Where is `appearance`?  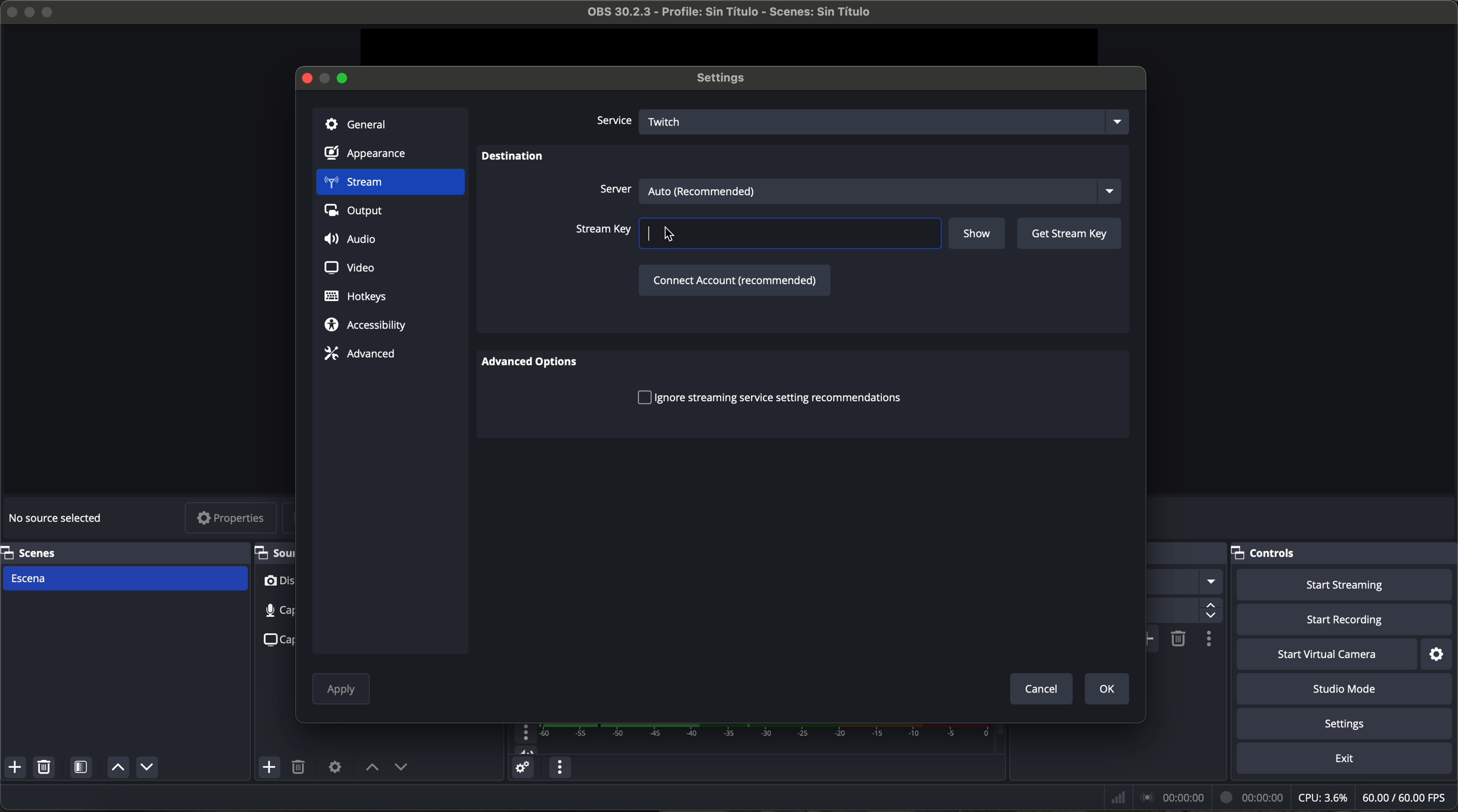
appearance is located at coordinates (372, 156).